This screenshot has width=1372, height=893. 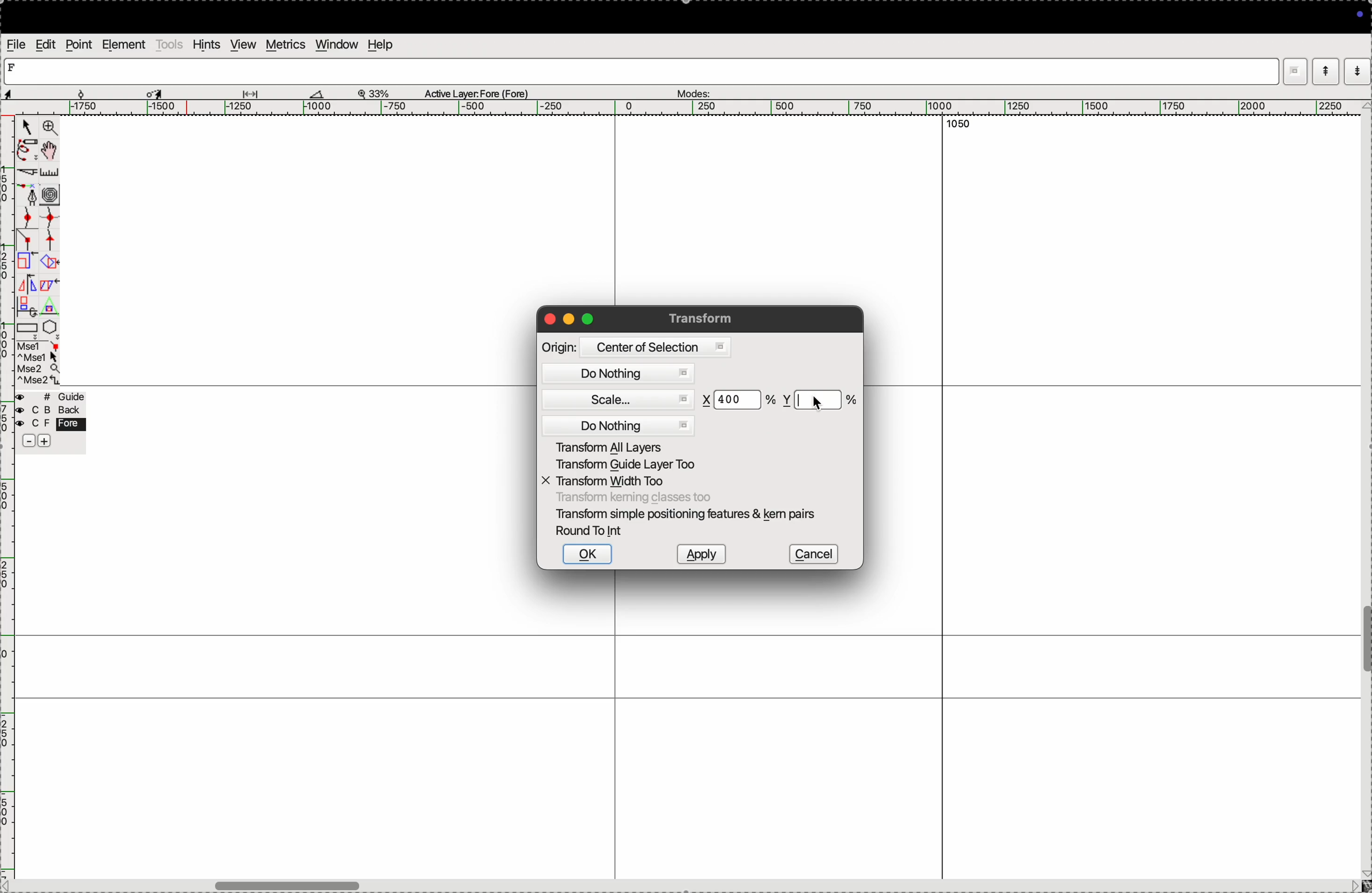 What do you see at coordinates (78, 46) in the screenshot?
I see `point` at bounding box center [78, 46].